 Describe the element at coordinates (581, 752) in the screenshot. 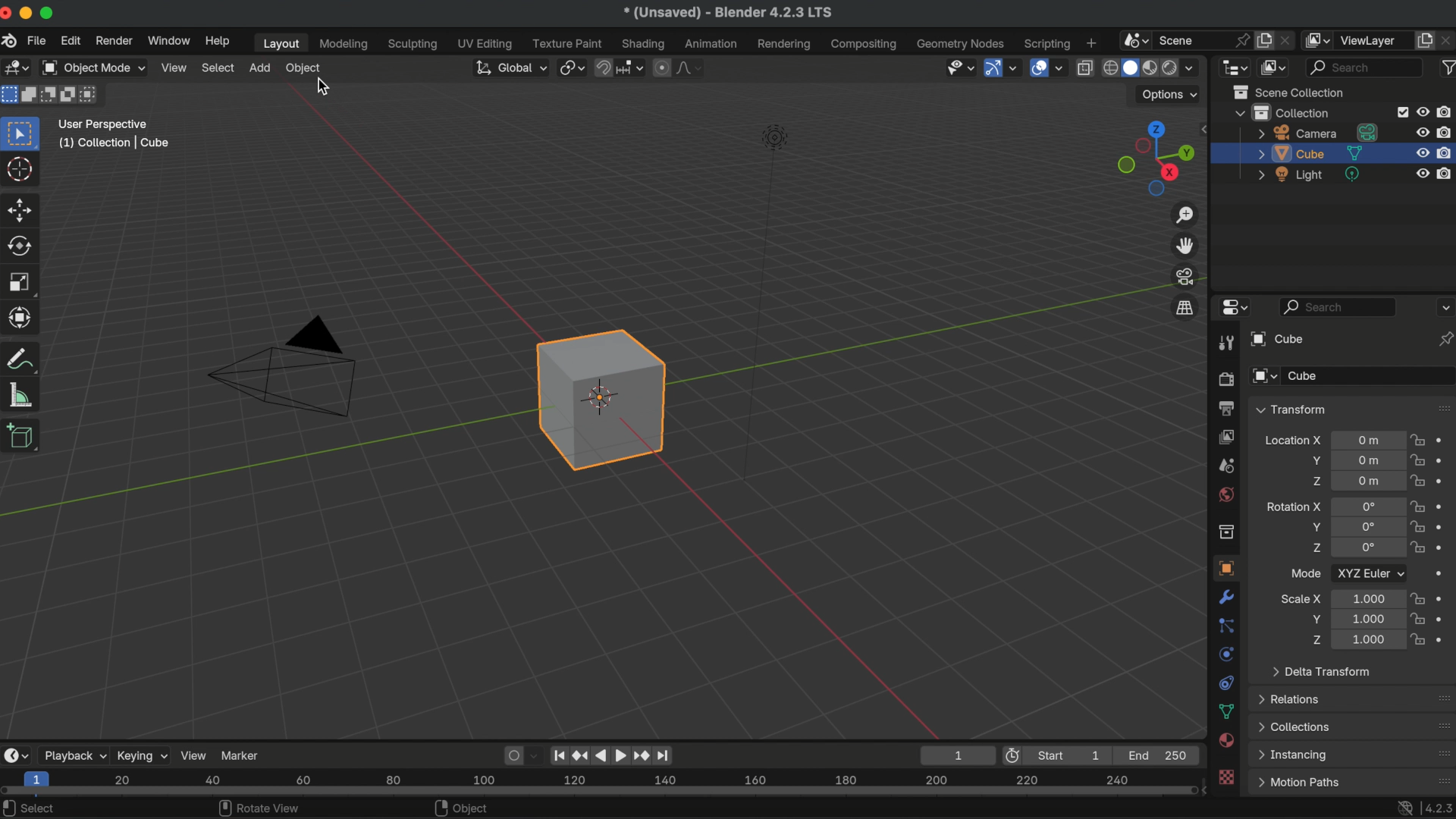

I see `jump to keyframe` at that location.